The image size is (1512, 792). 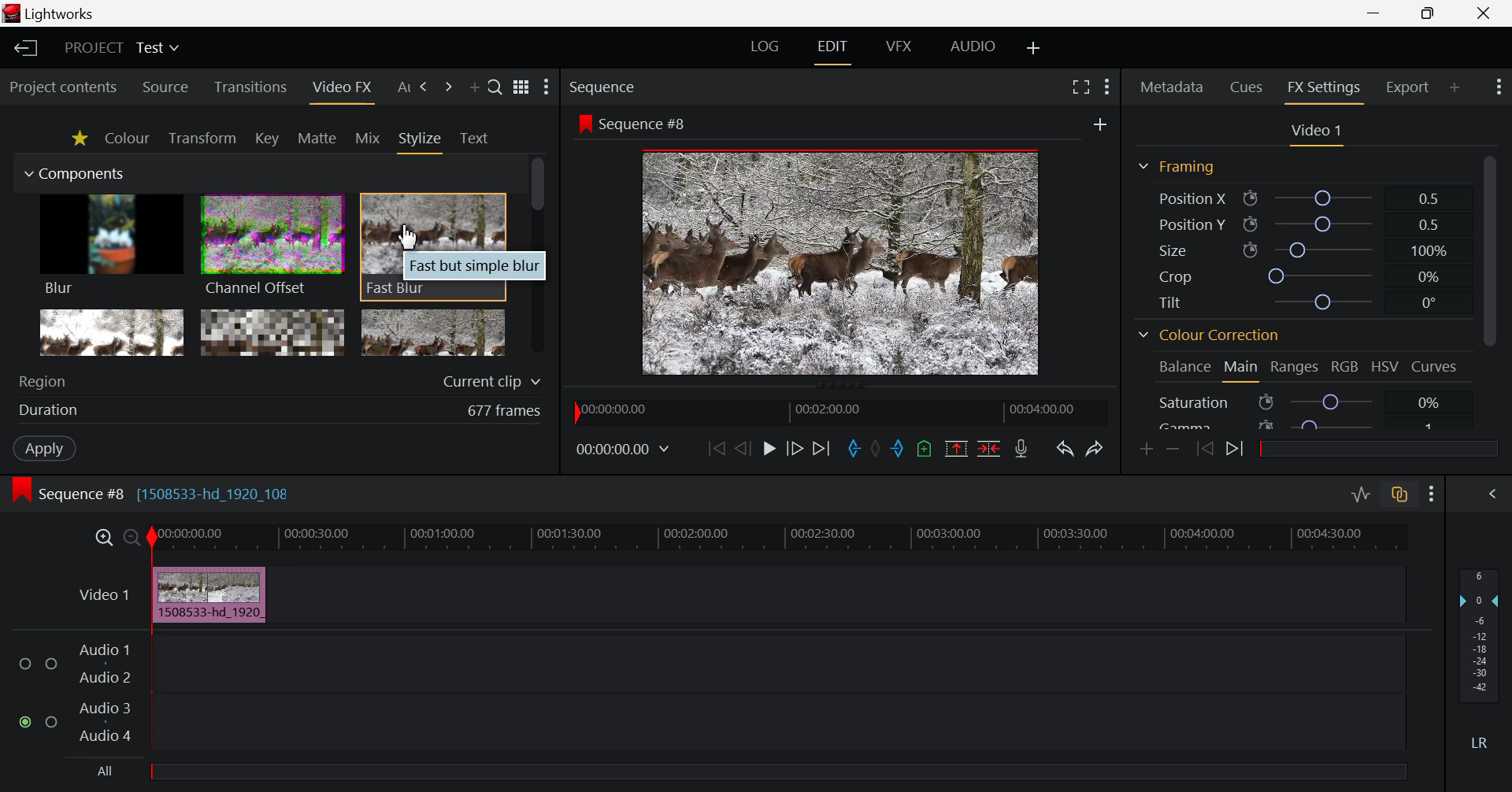 What do you see at coordinates (165, 495) in the screenshot?
I see `Sequence #8 [1508533-hd_1920_108` at bounding box center [165, 495].